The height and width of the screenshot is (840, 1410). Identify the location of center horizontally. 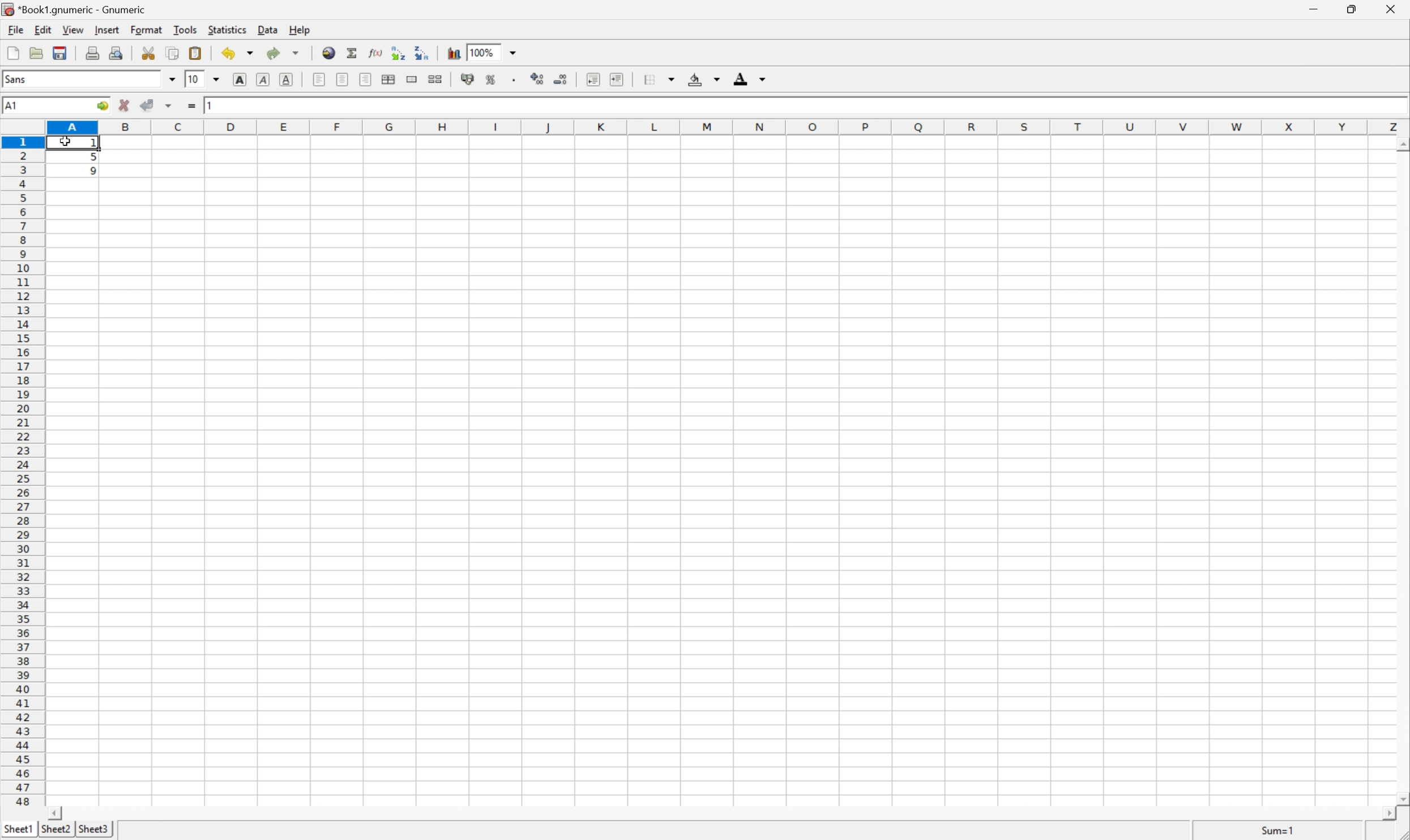
(390, 78).